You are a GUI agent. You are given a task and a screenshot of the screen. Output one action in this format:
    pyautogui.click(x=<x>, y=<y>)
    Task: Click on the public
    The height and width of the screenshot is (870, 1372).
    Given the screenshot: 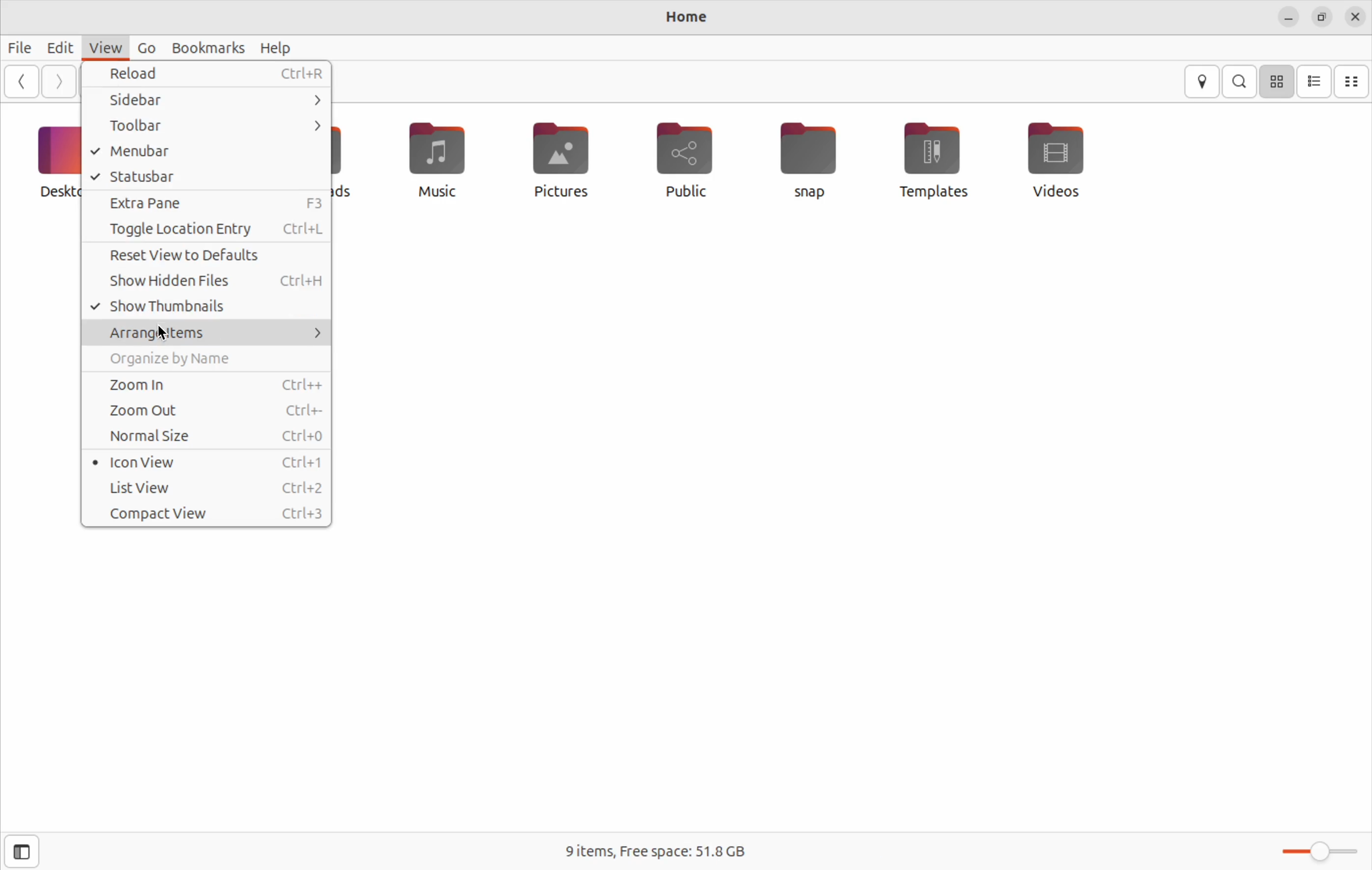 What is the action you would take?
    pyautogui.click(x=685, y=160)
    